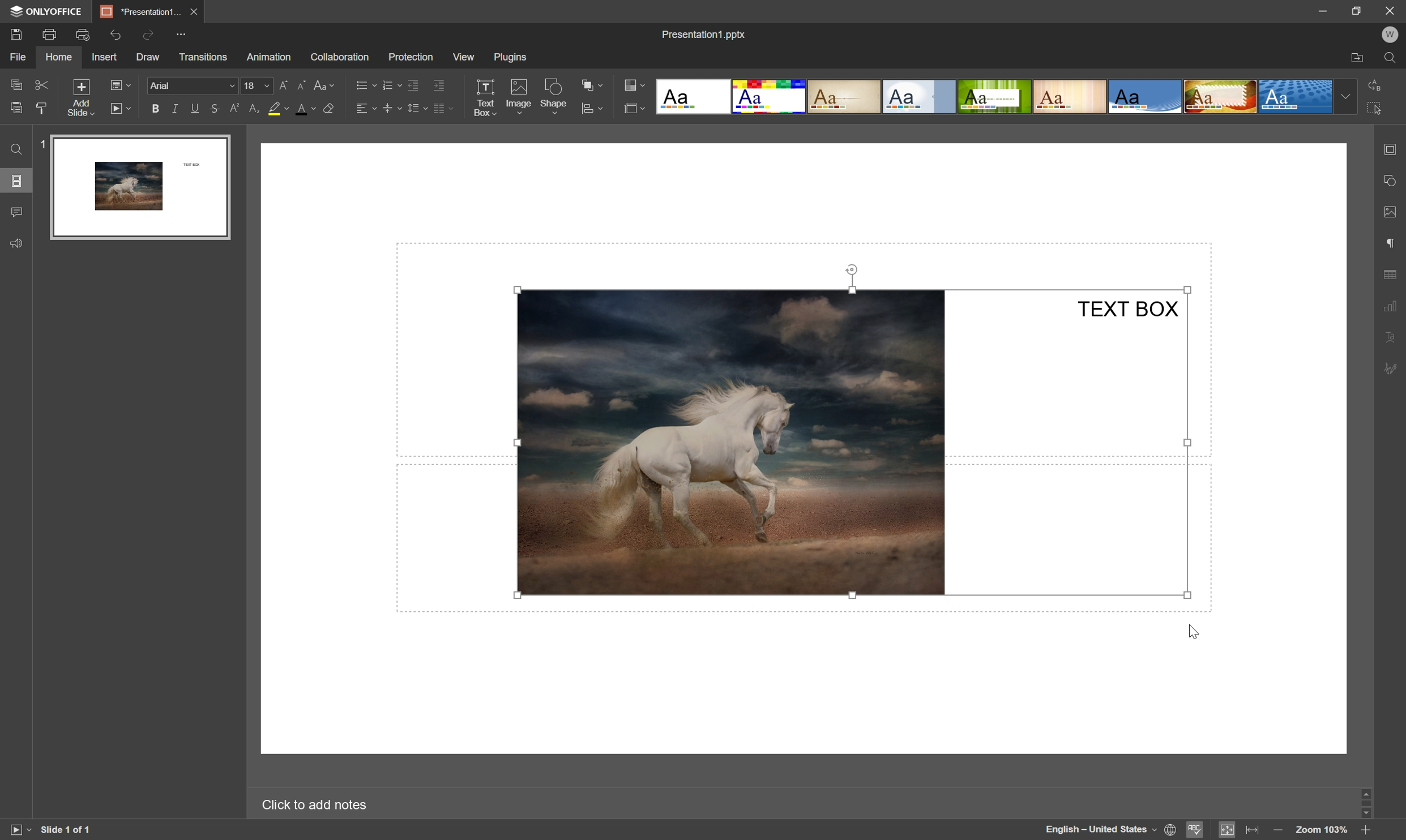 This screenshot has width=1406, height=840. Describe the element at coordinates (392, 108) in the screenshot. I see `vertical align` at that location.